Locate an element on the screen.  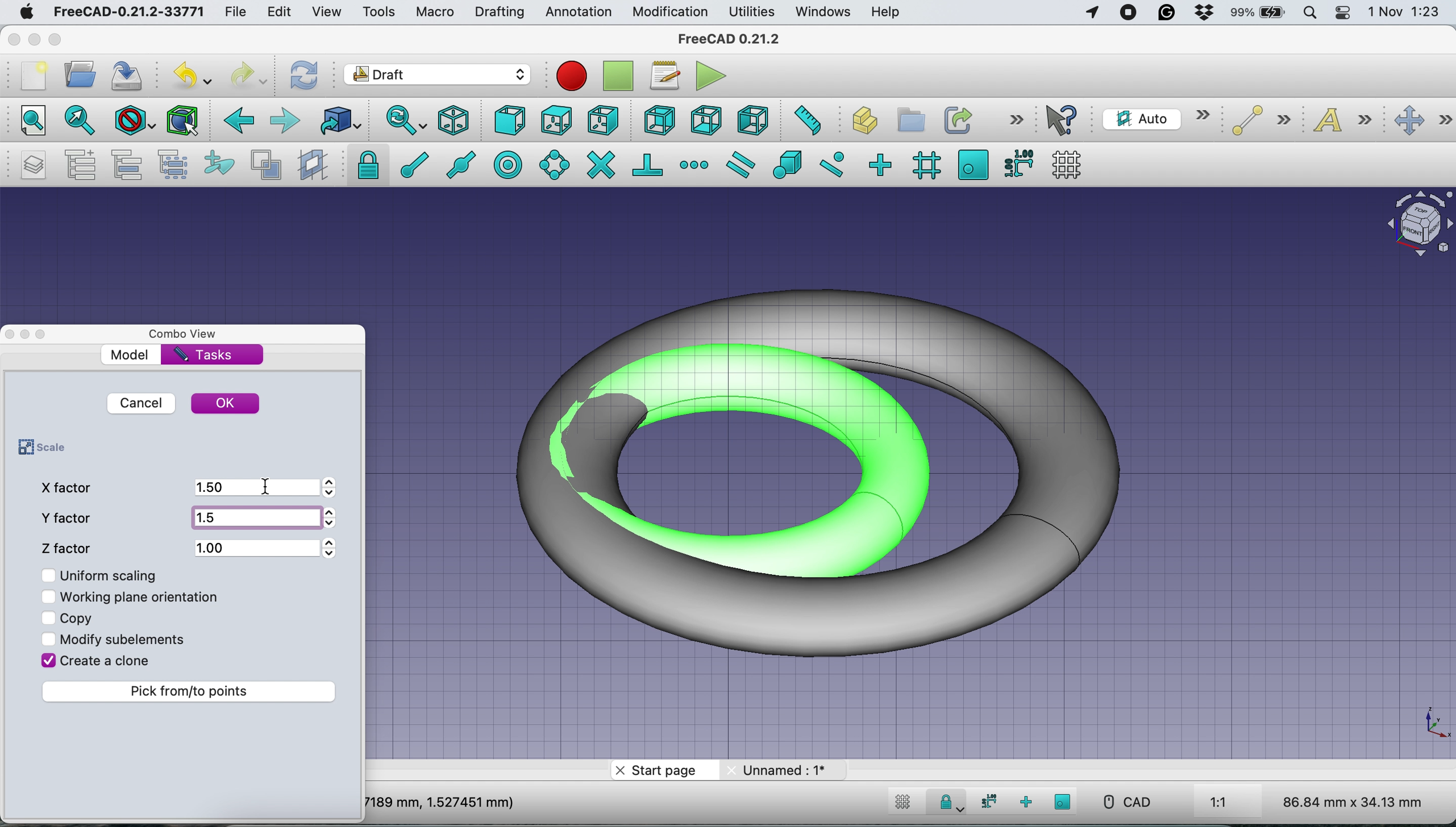
line is located at coordinates (1257, 121).